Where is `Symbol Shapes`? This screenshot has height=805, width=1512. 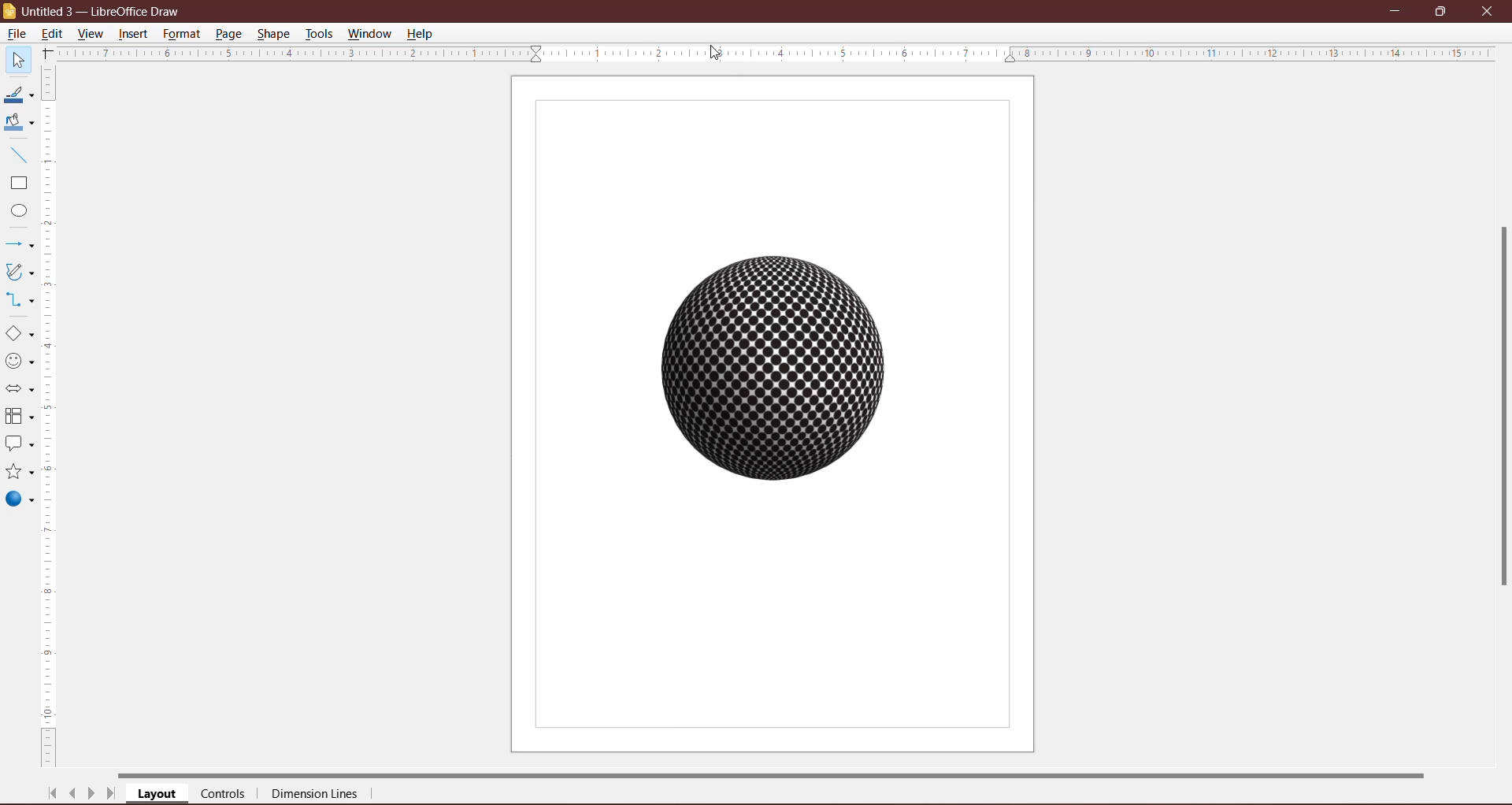 Symbol Shapes is located at coordinates (19, 362).